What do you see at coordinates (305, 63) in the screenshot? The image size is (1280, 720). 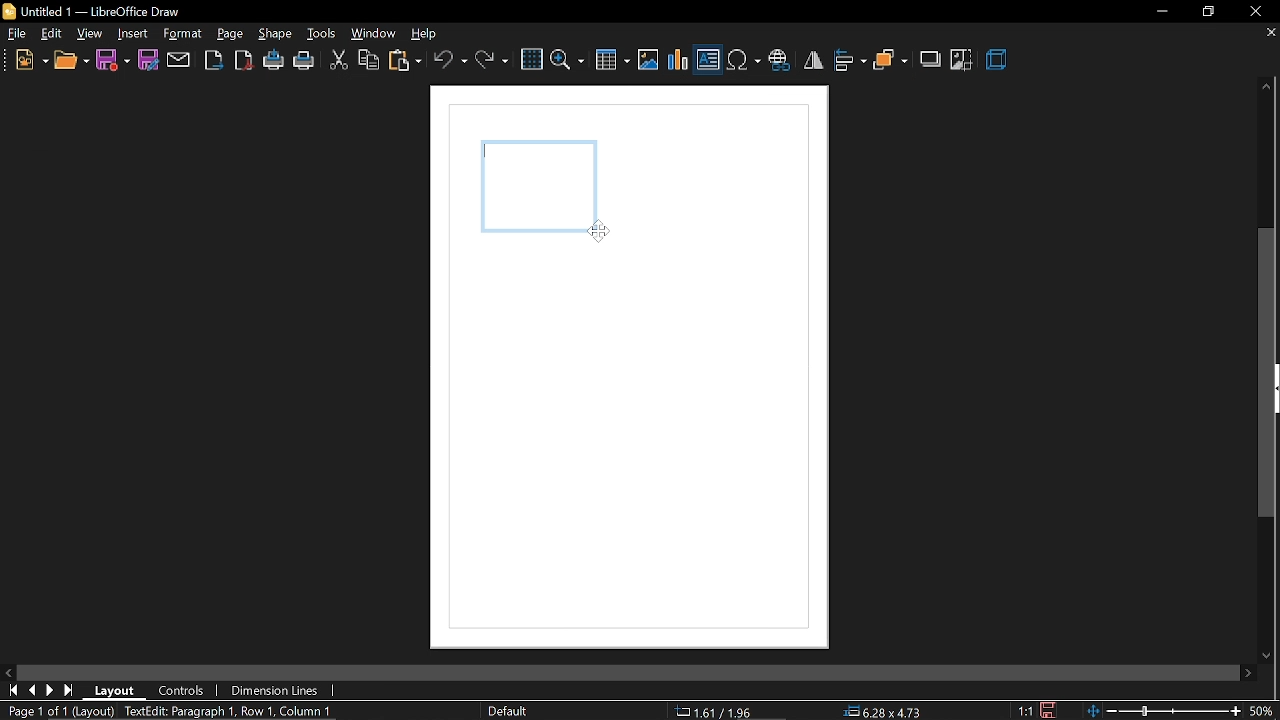 I see `print` at bounding box center [305, 63].